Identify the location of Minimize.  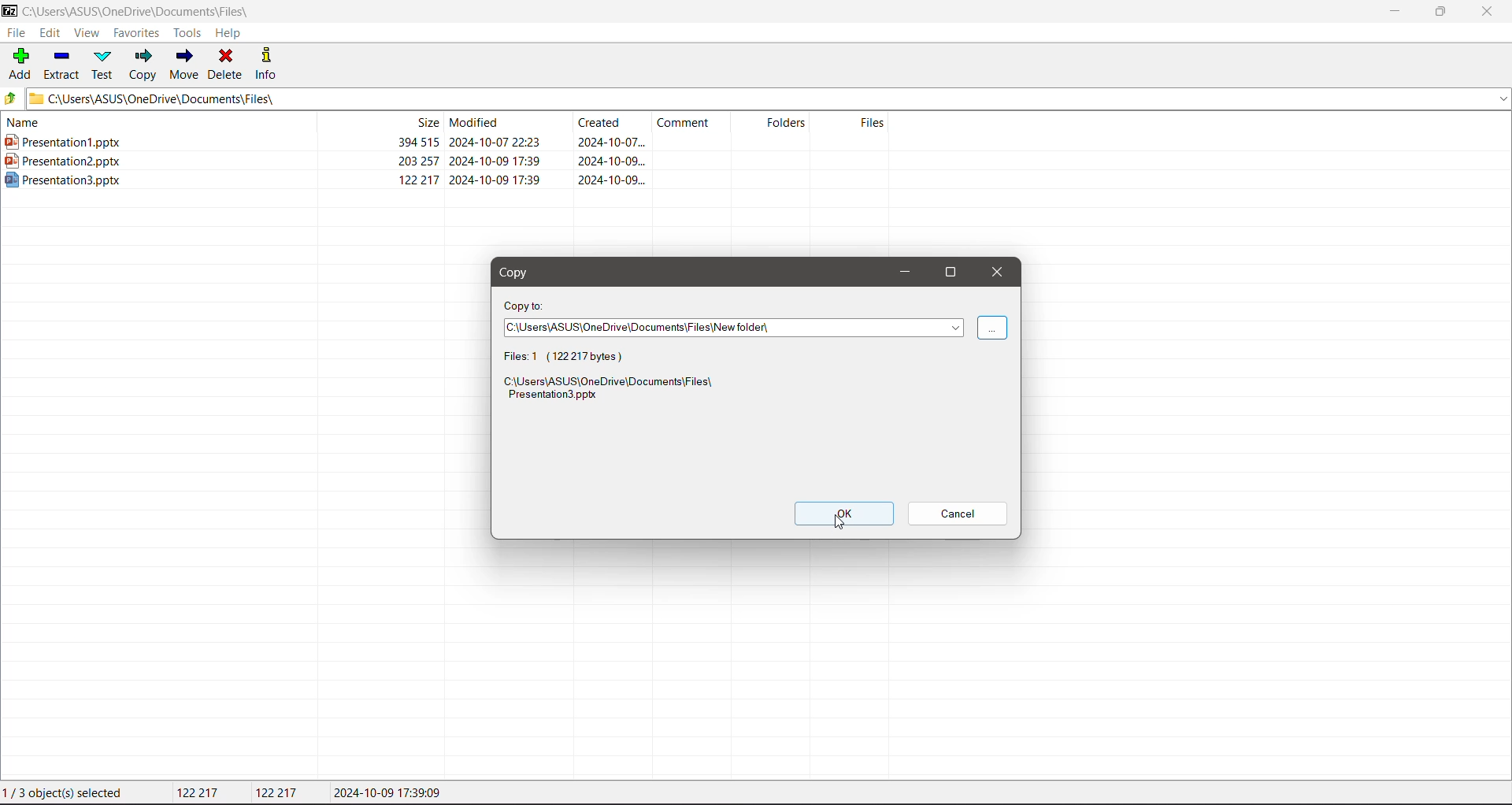
(1394, 12).